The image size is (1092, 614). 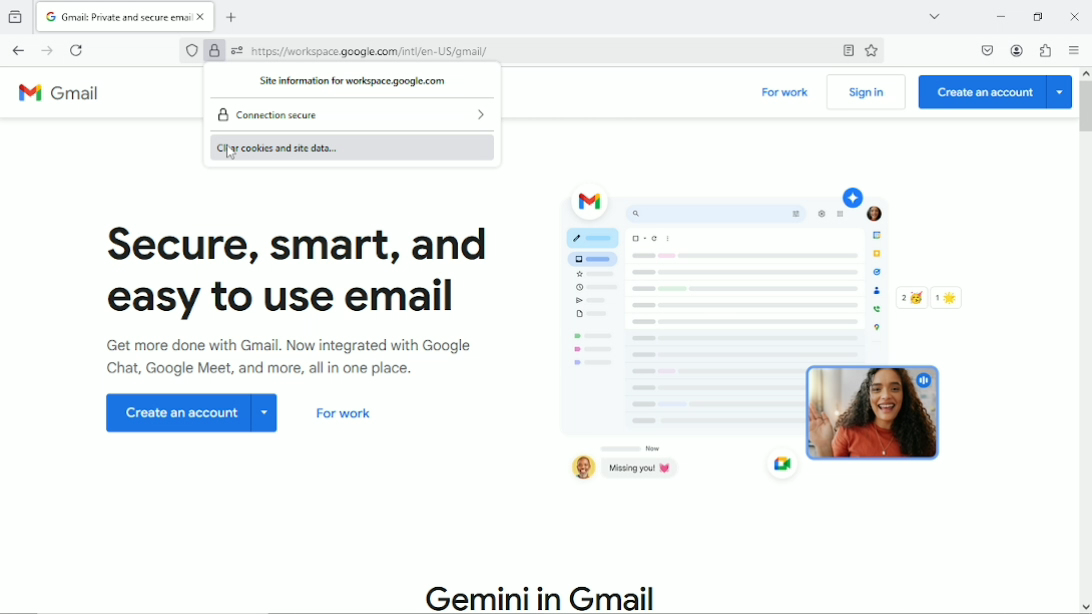 I want to click on Extensions, so click(x=1047, y=51).